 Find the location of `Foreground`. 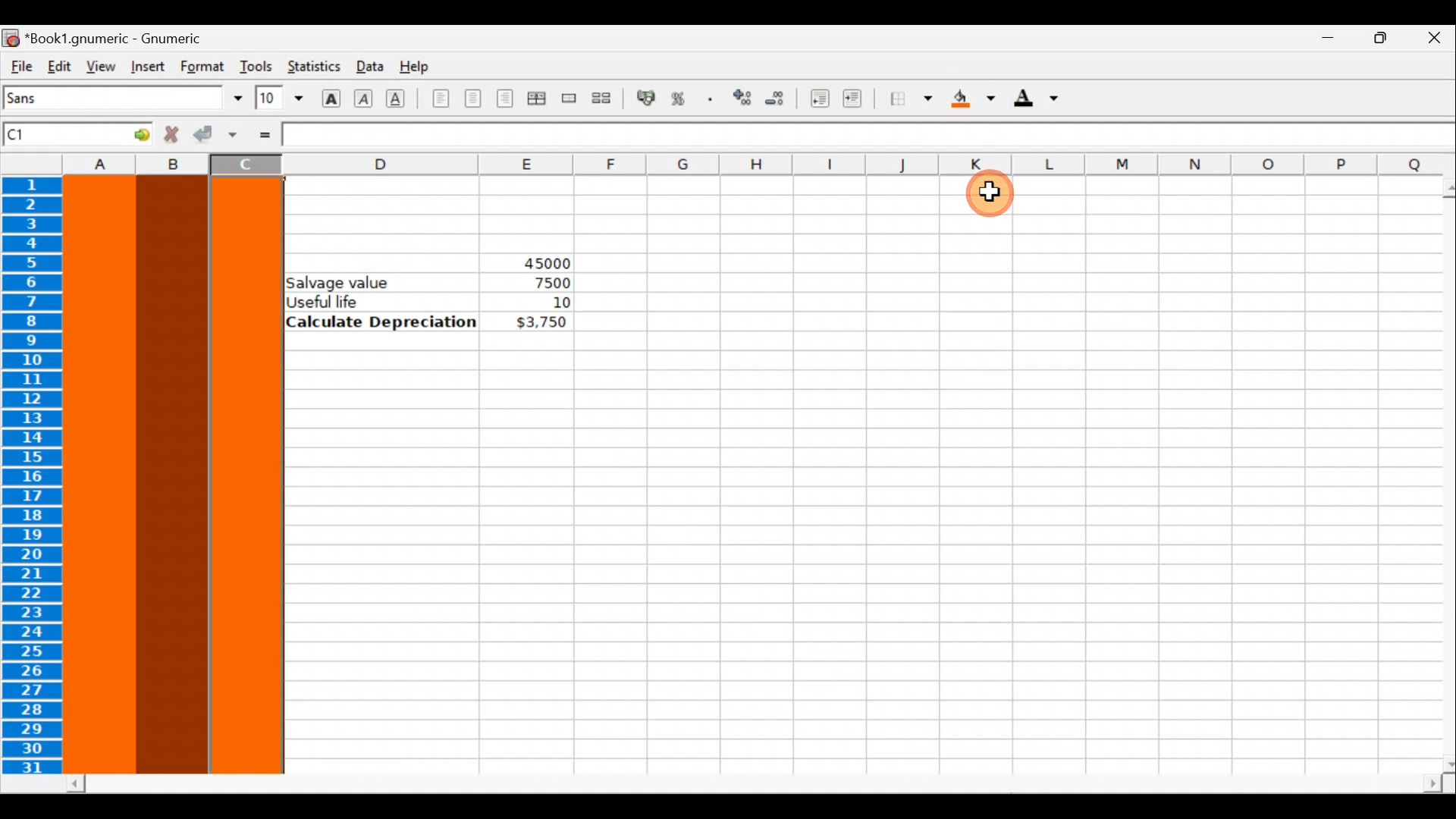

Foreground is located at coordinates (1041, 99).